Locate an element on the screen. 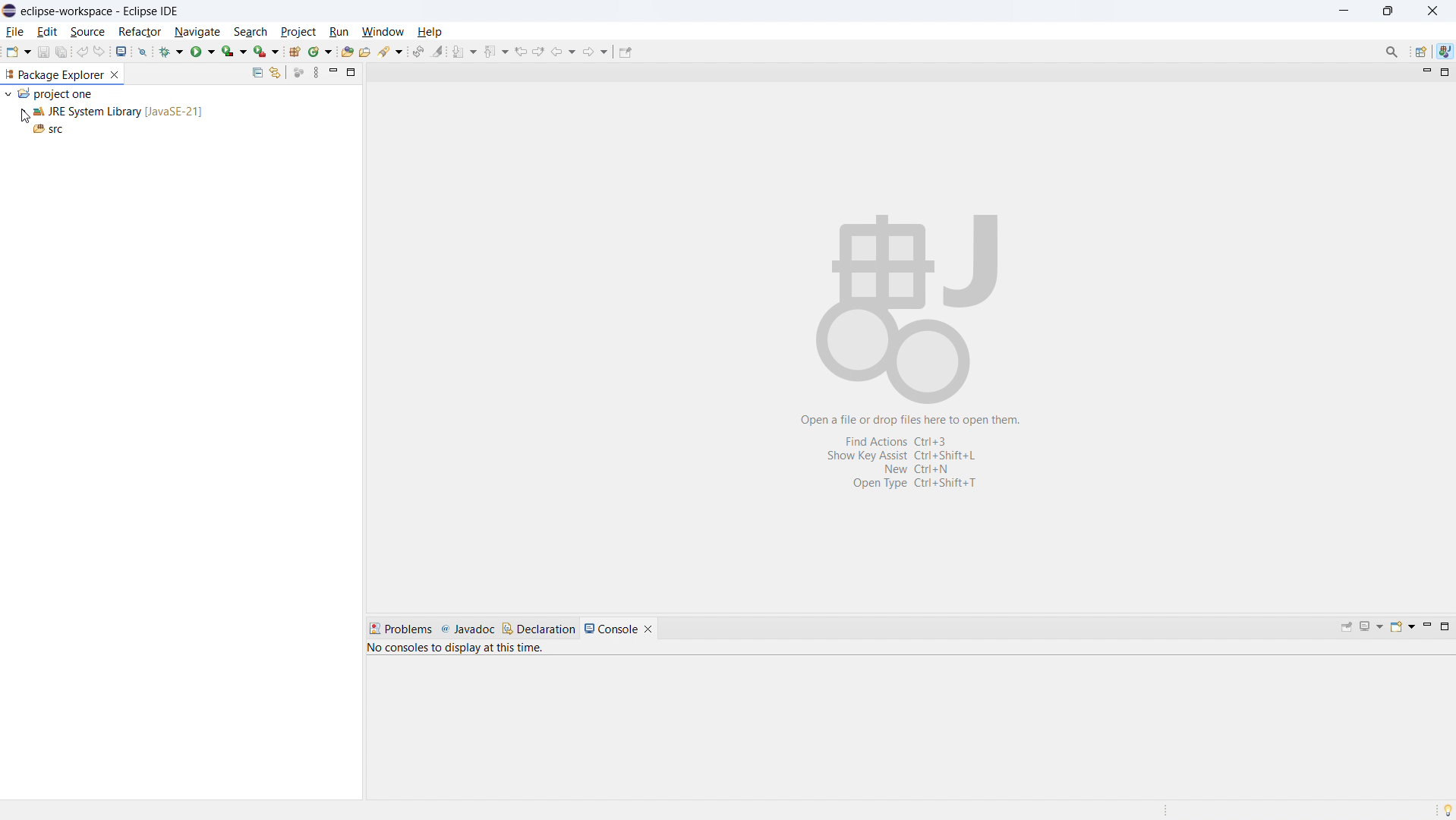 This screenshot has width=1456, height=820. pin console is located at coordinates (1347, 627).